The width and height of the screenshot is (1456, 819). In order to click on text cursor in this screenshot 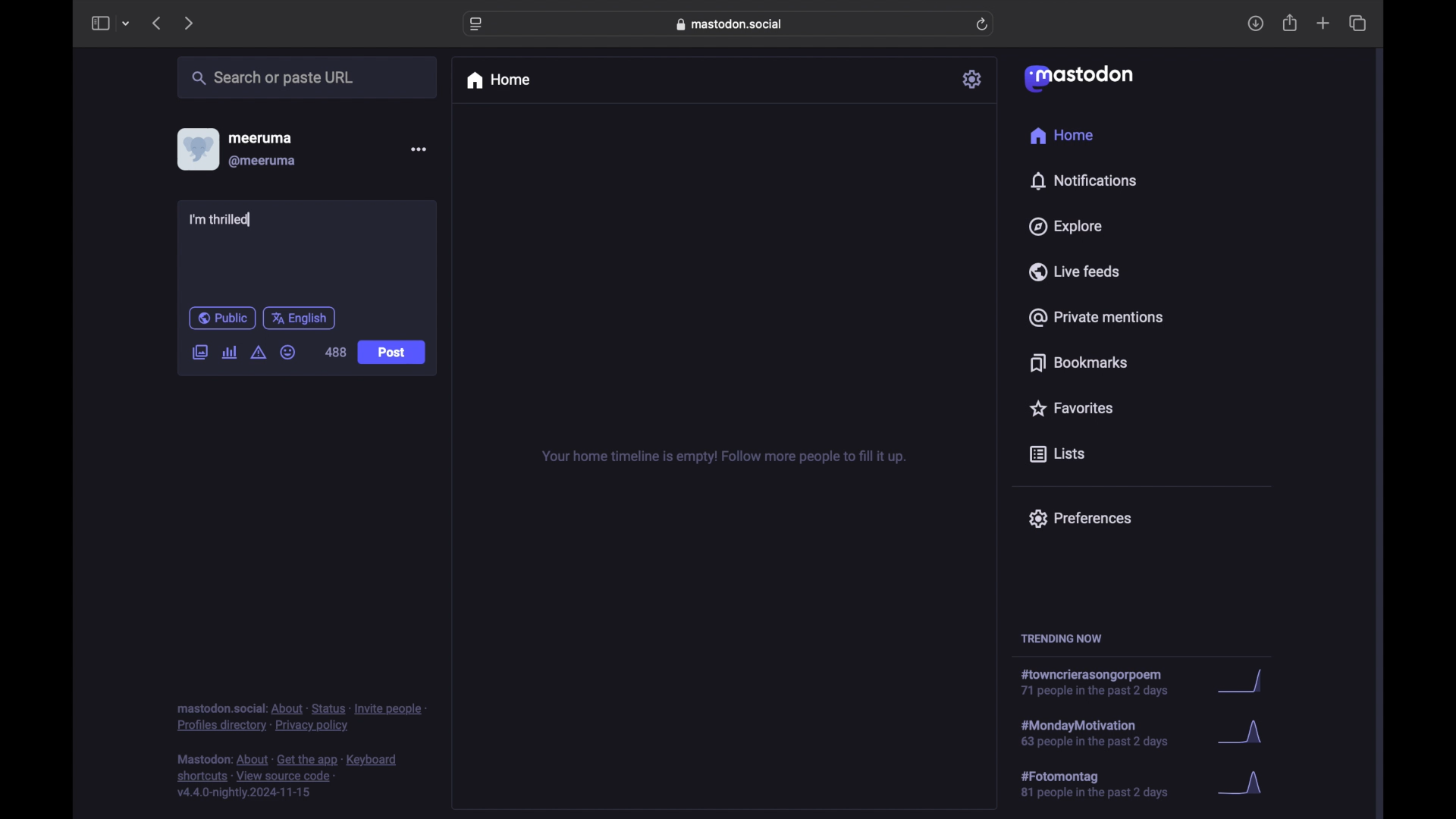, I will do `click(251, 220)`.